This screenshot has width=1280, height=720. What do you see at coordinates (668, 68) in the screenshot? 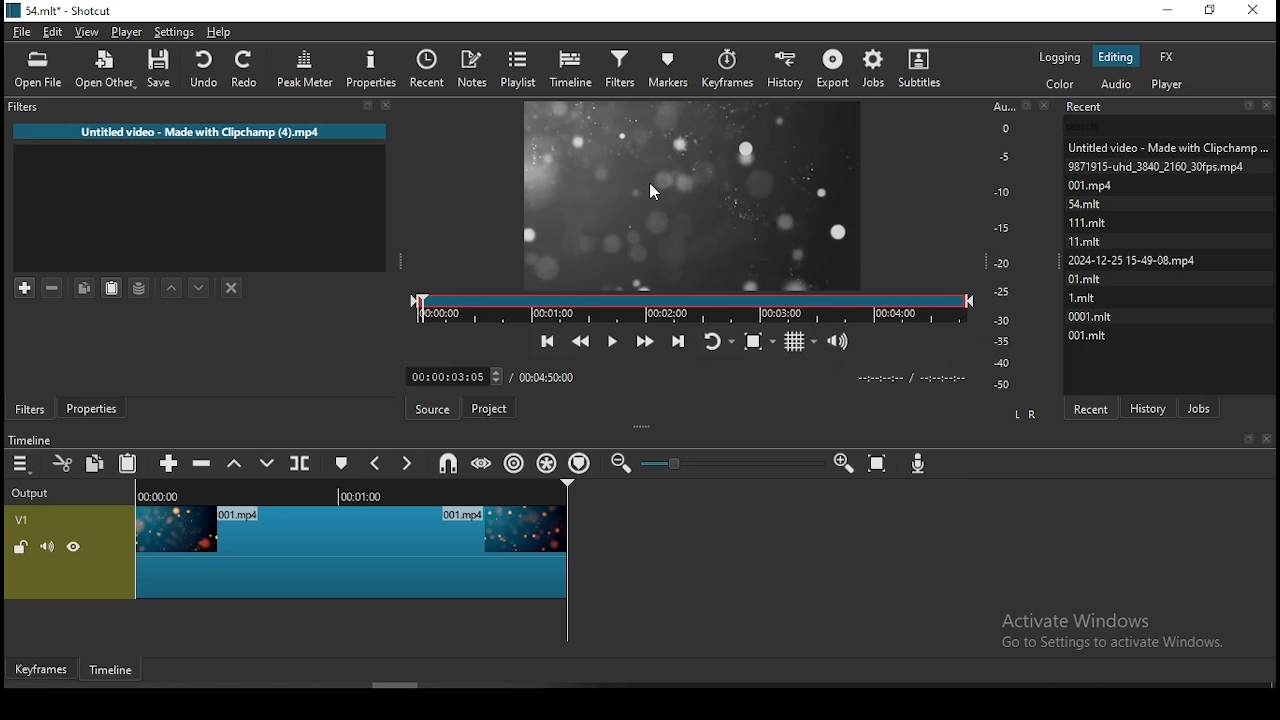
I see `markers` at bounding box center [668, 68].